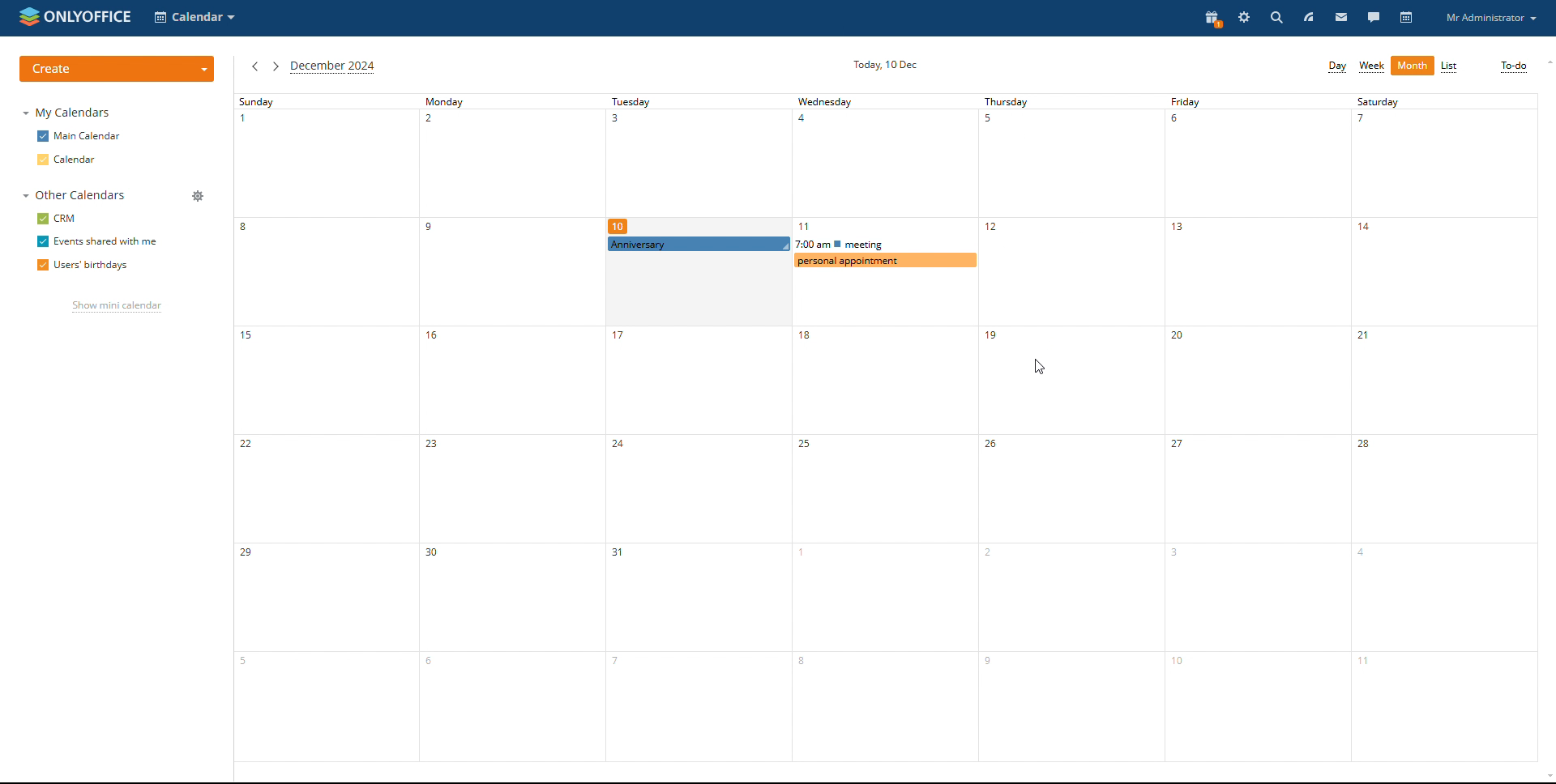  Describe the element at coordinates (885, 260) in the screenshot. I see `personal appointment created` at that location.